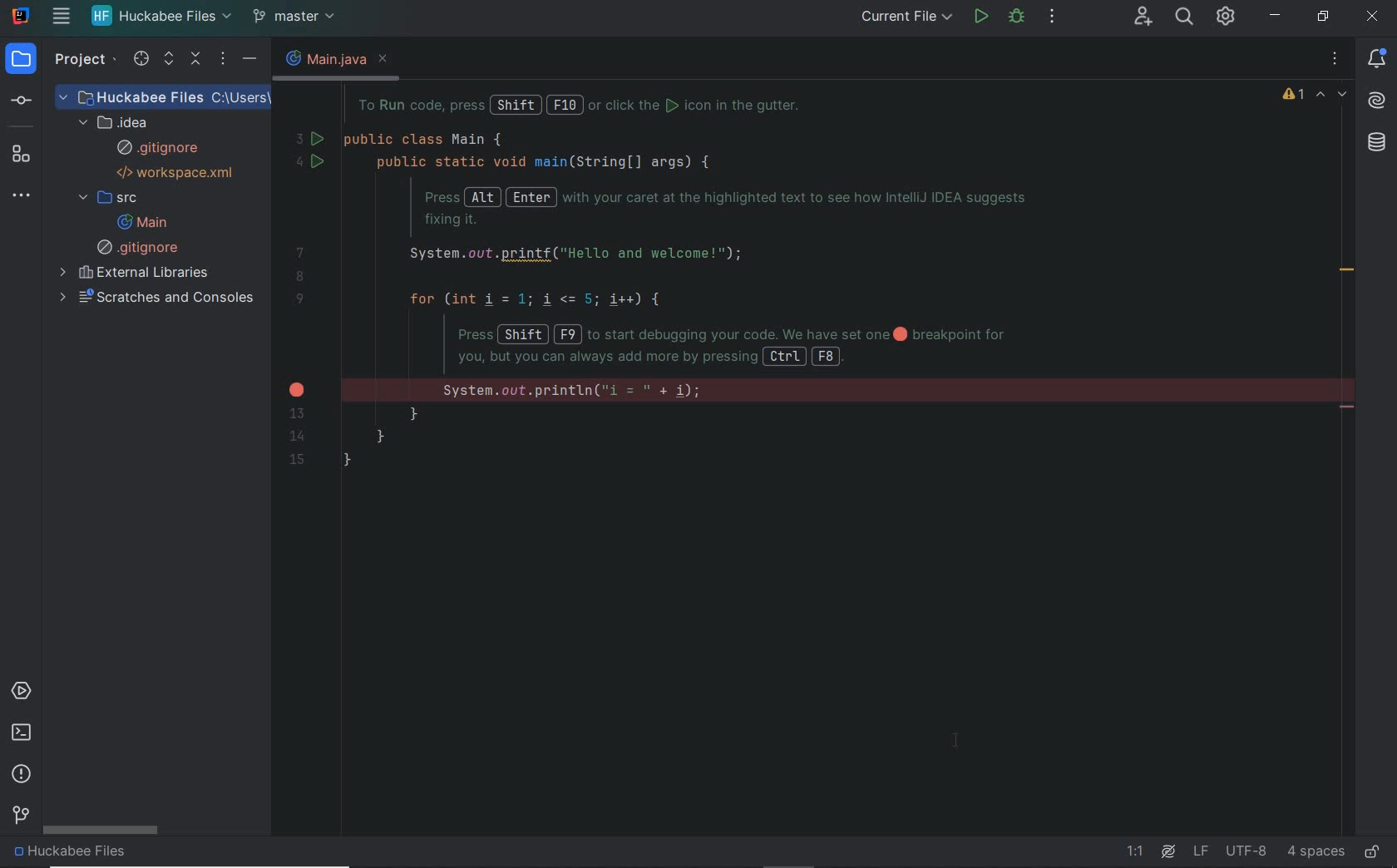  Describe the element at coordinates (196, 60) in the screenshot. I see `collapse all` at that location.